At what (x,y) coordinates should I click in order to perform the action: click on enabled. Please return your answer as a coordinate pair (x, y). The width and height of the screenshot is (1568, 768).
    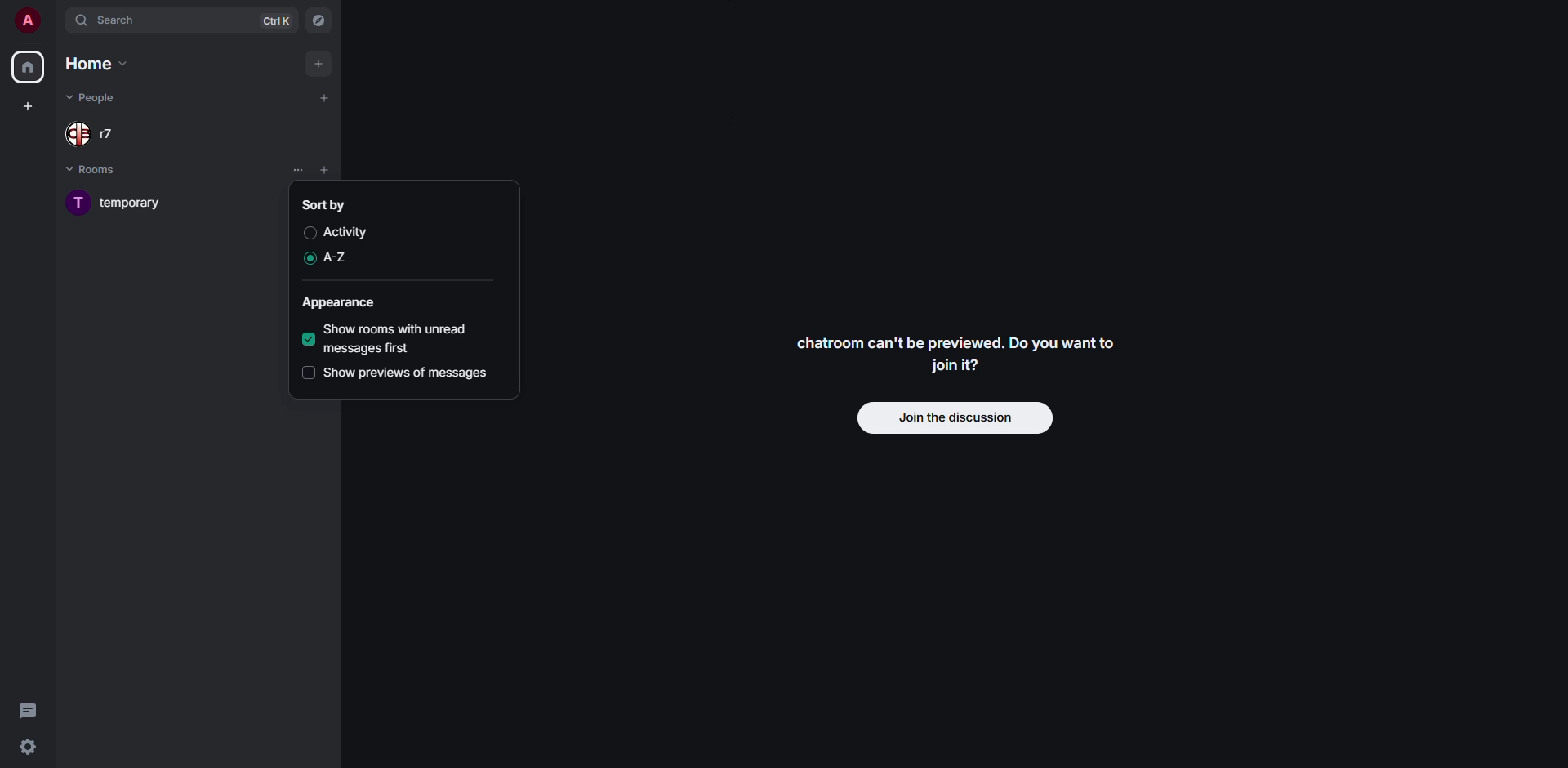
    Looking at the image, I should click on (306, 260).